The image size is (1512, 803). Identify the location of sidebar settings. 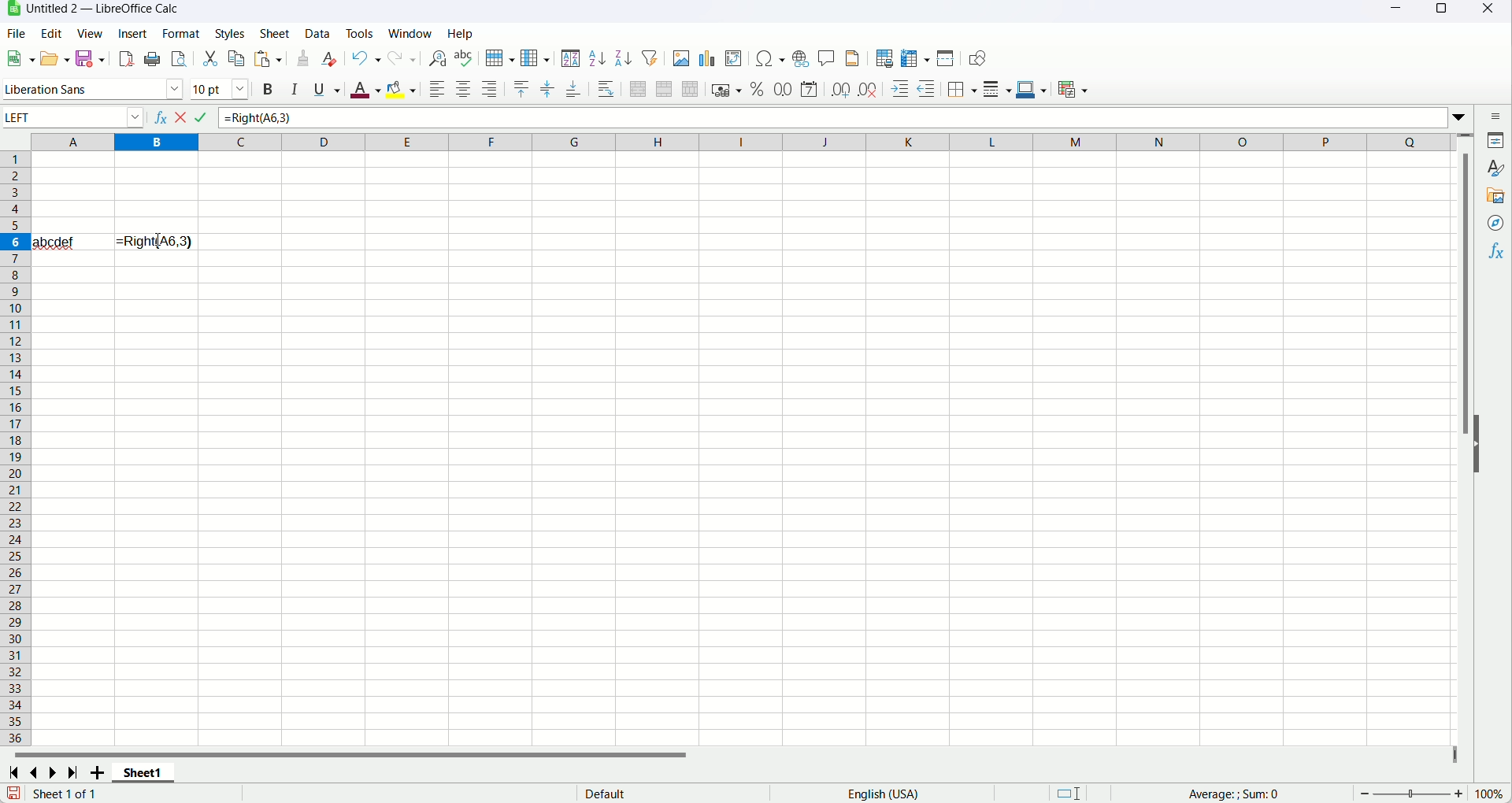
(1497, 117).